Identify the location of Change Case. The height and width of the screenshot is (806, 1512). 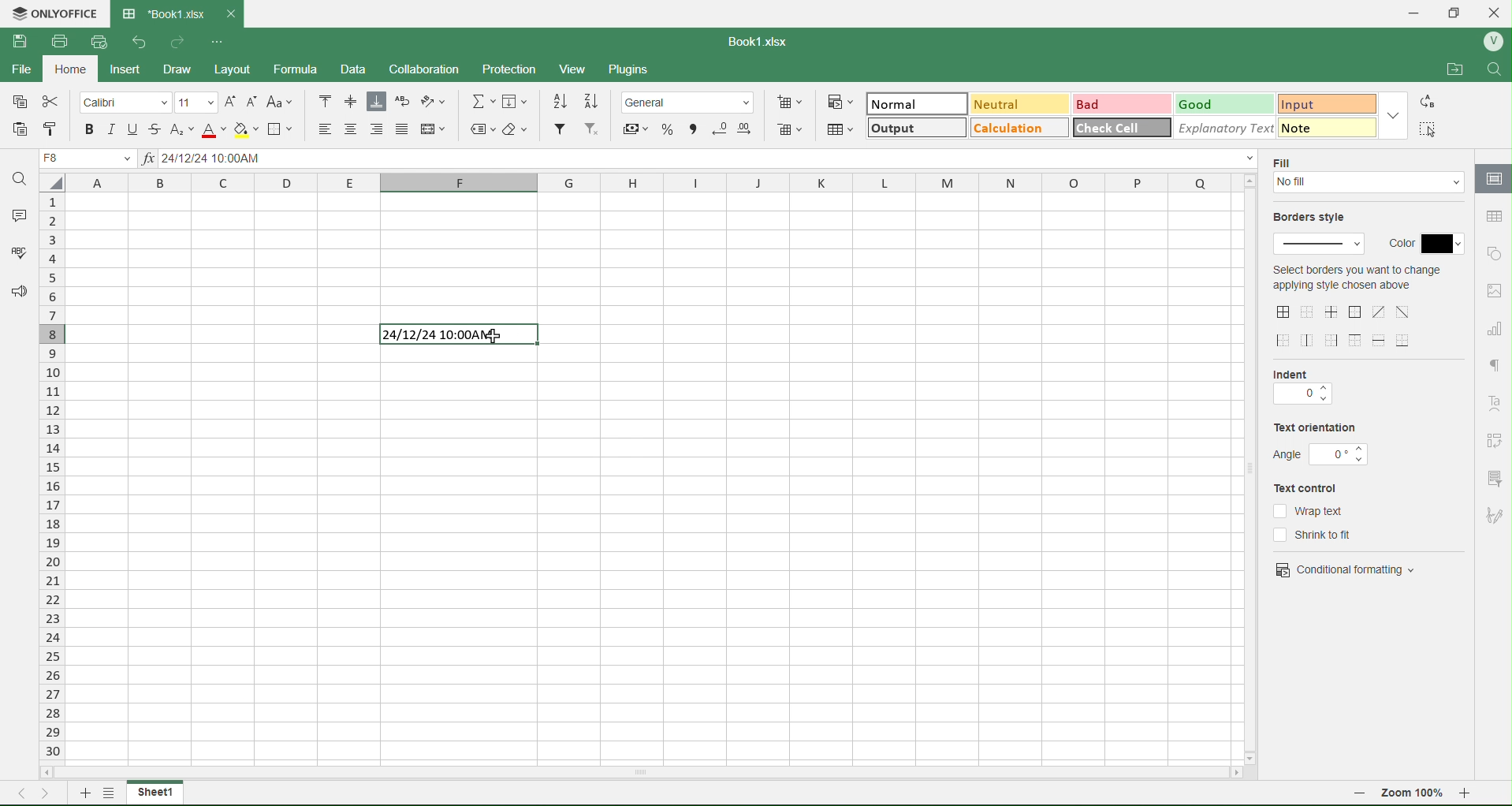
(282, 103).